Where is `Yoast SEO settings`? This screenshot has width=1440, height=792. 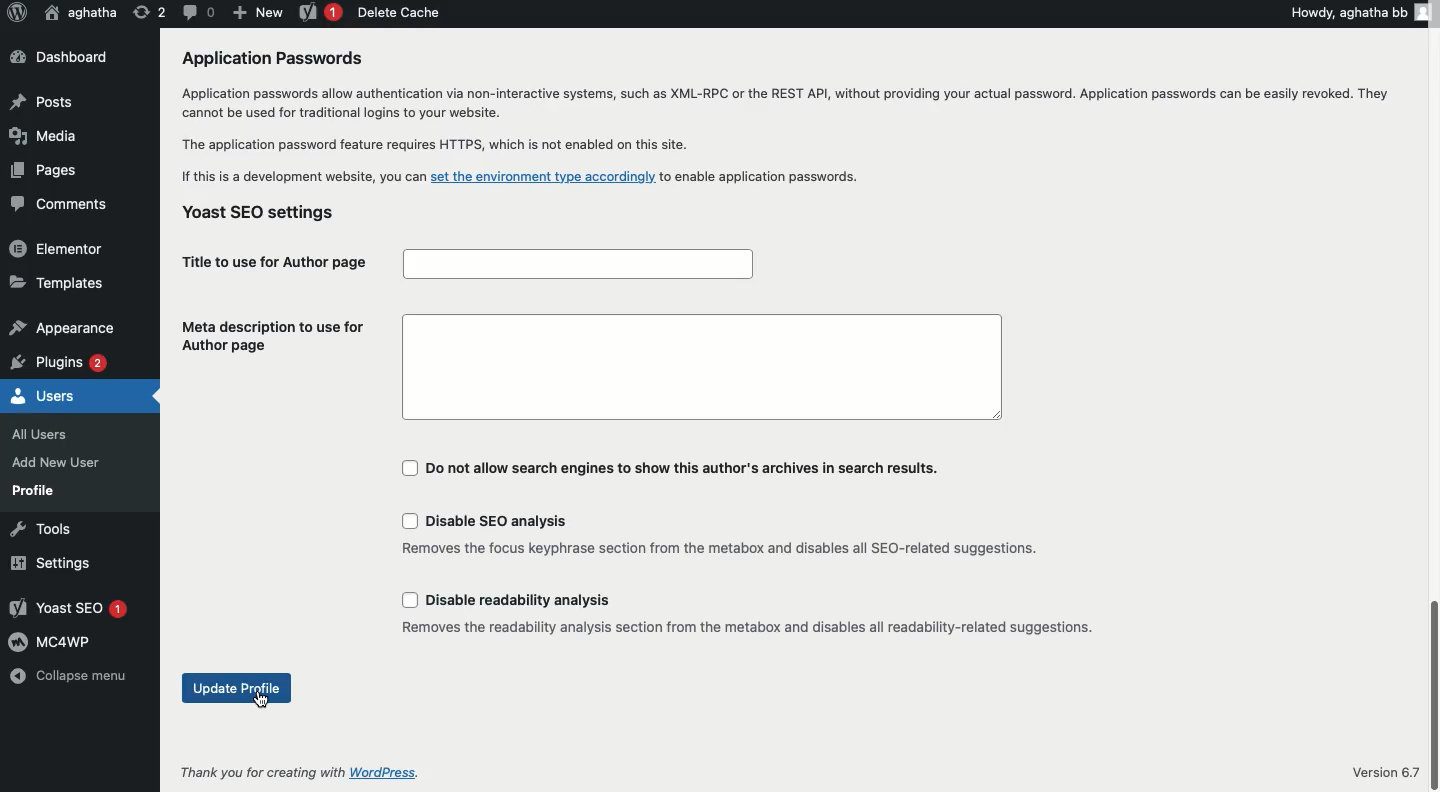
Yoast SEO settings is located at coordinates (280, 213).